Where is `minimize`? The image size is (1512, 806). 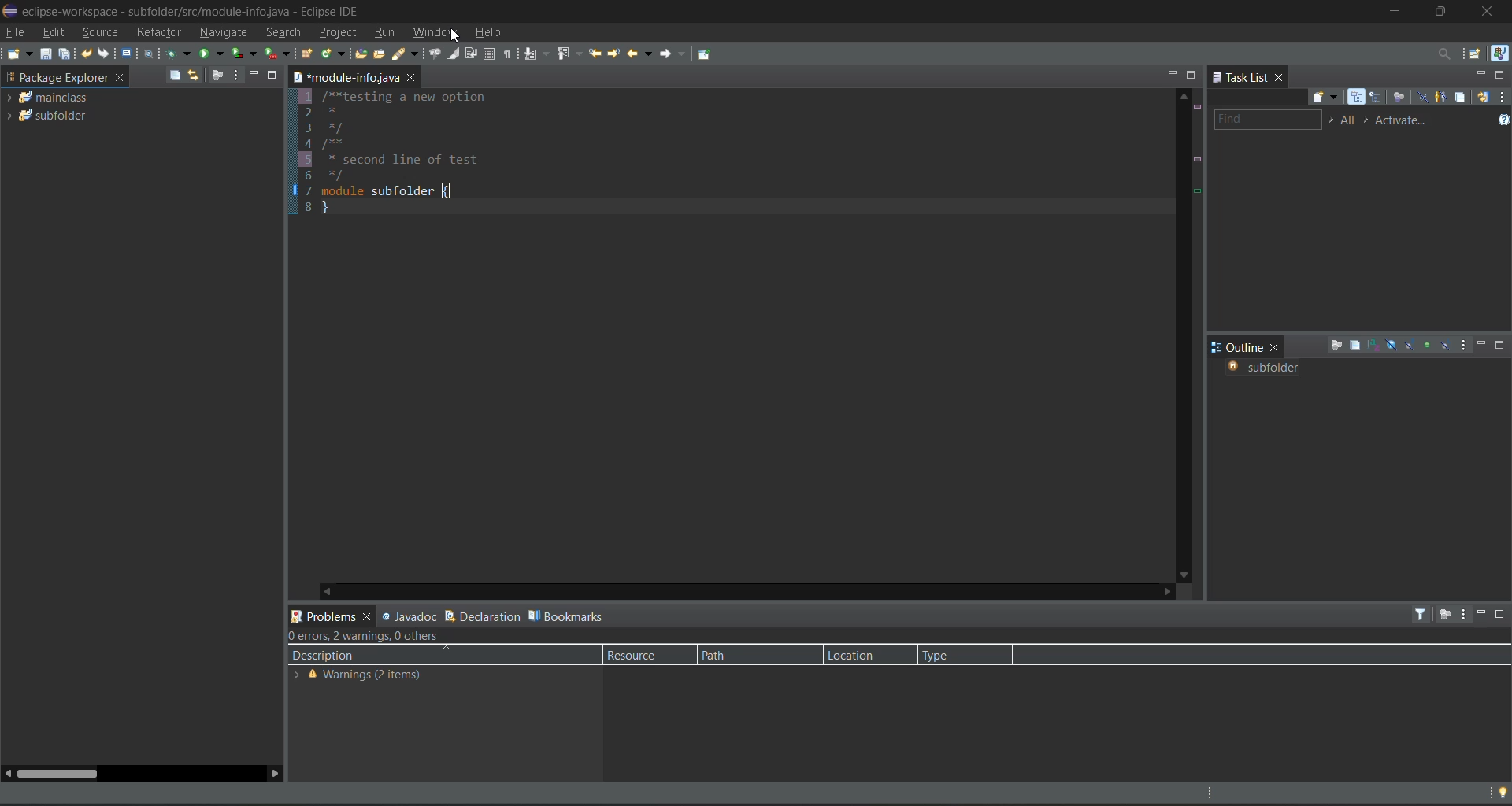 minimize is located at coordinates (1478, 76).